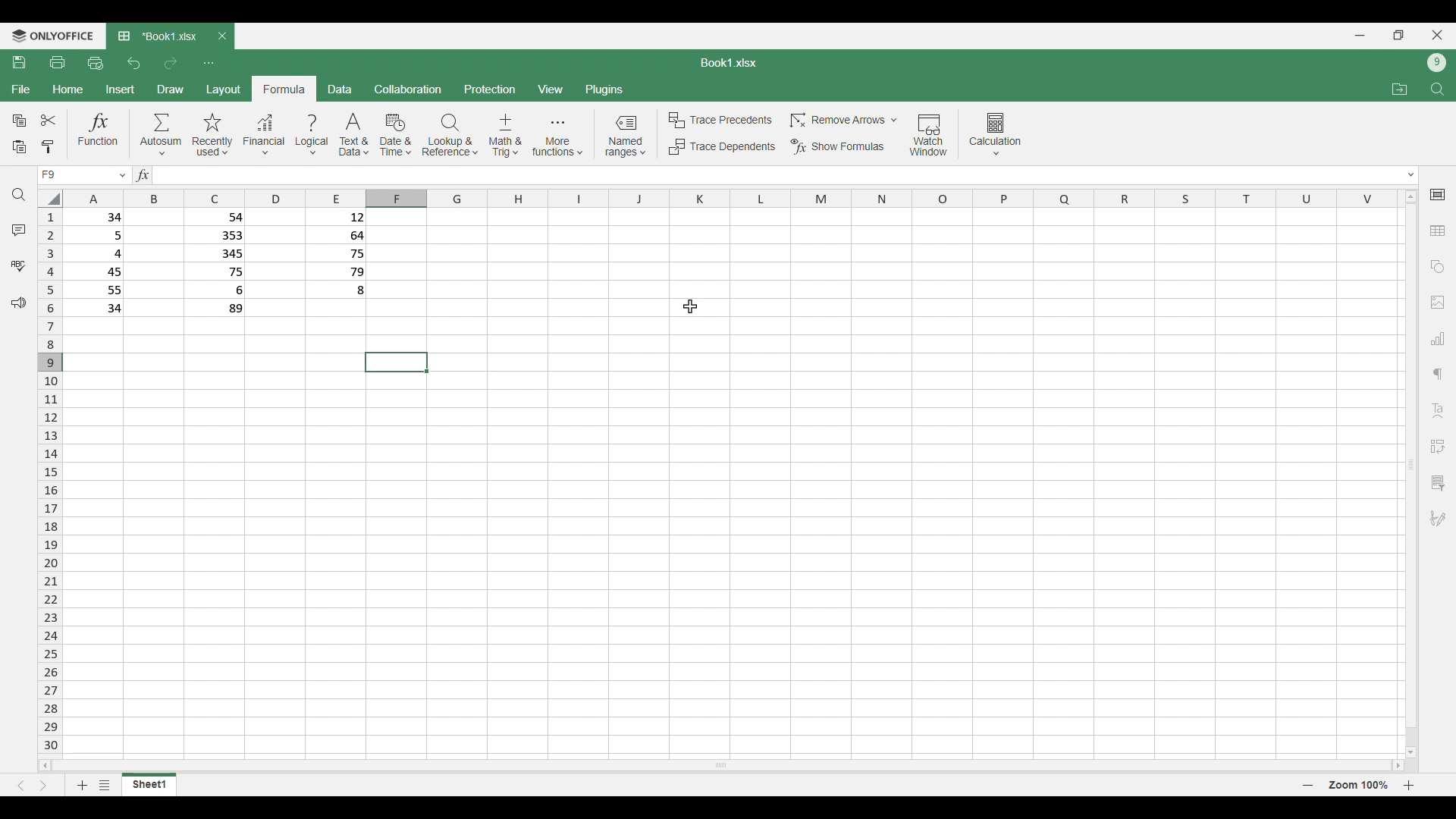 Image resolution: width=1456 pixels, height=819 pixels. Describe the element at coordinates (409, 89) in the screenshot. I see `Collaboration menu` at that location.